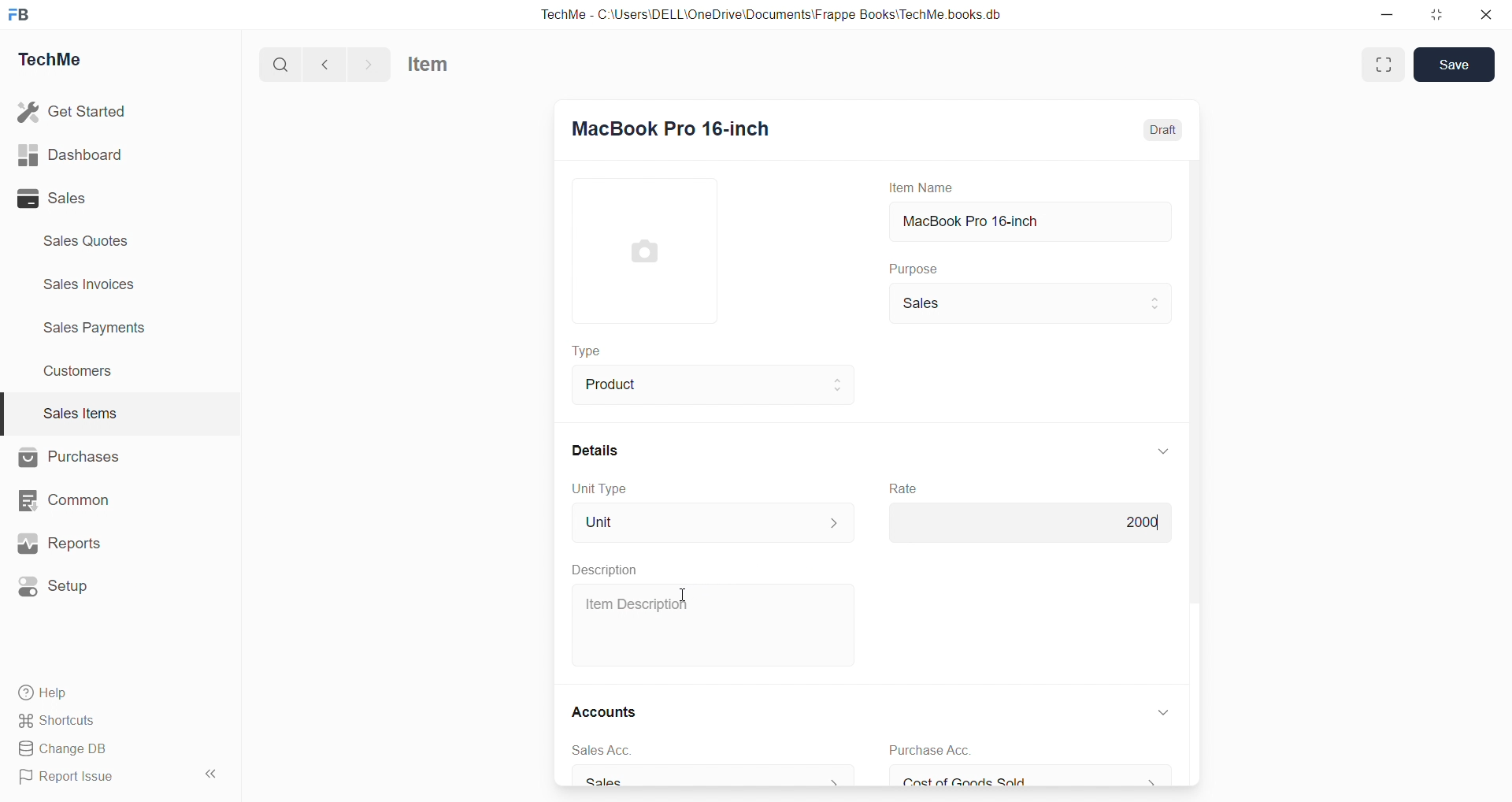 Image resolution: width=1512 pixels, height=802 pixels. Describe the element at coordinates (712, 385) in the screenshot. I see `Product` at that location.